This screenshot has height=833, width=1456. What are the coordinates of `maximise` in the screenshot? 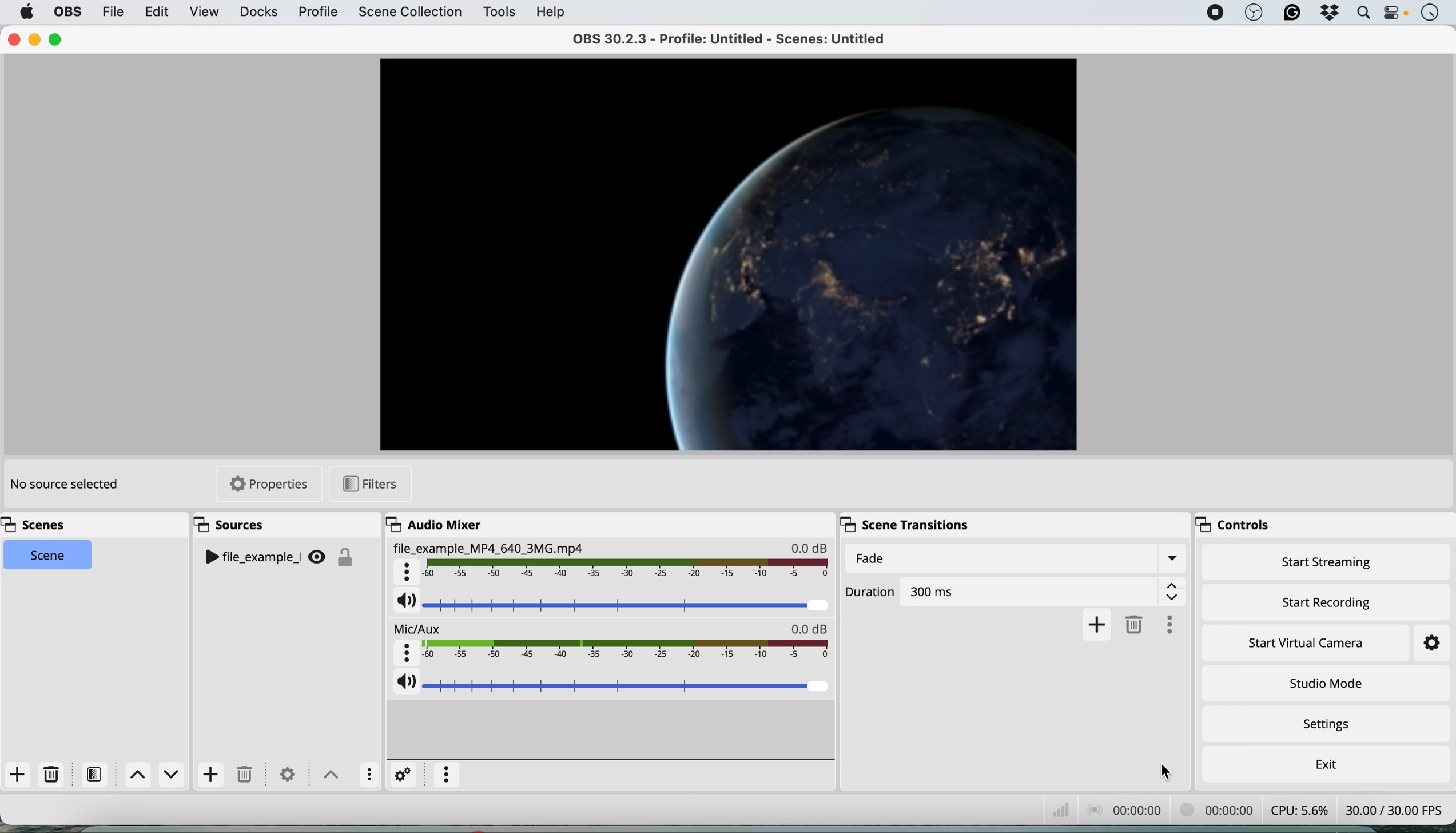 It's located at (56, 39).